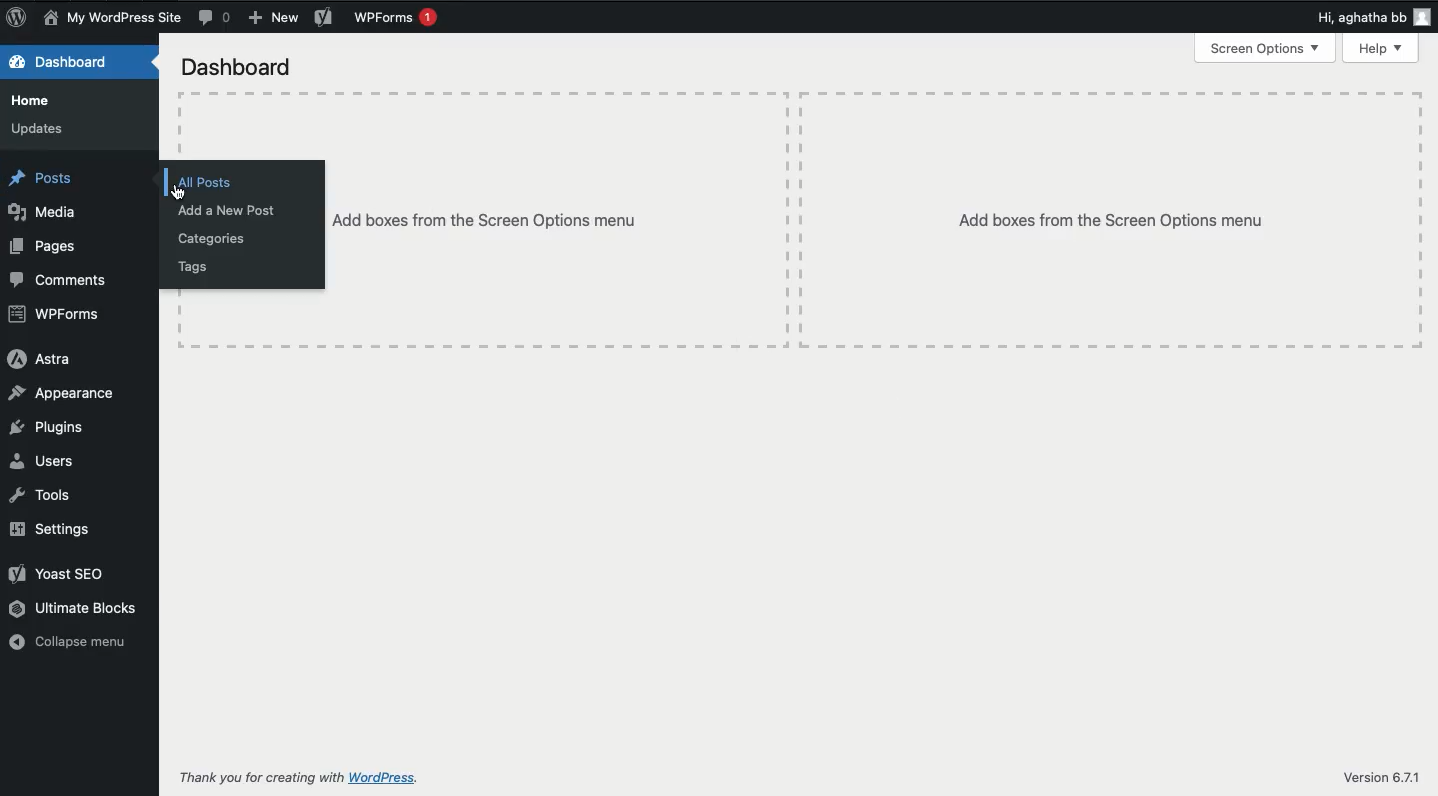  Describe the element at coordinates (112, 18) in the screenshot. I see `Name` at that location.